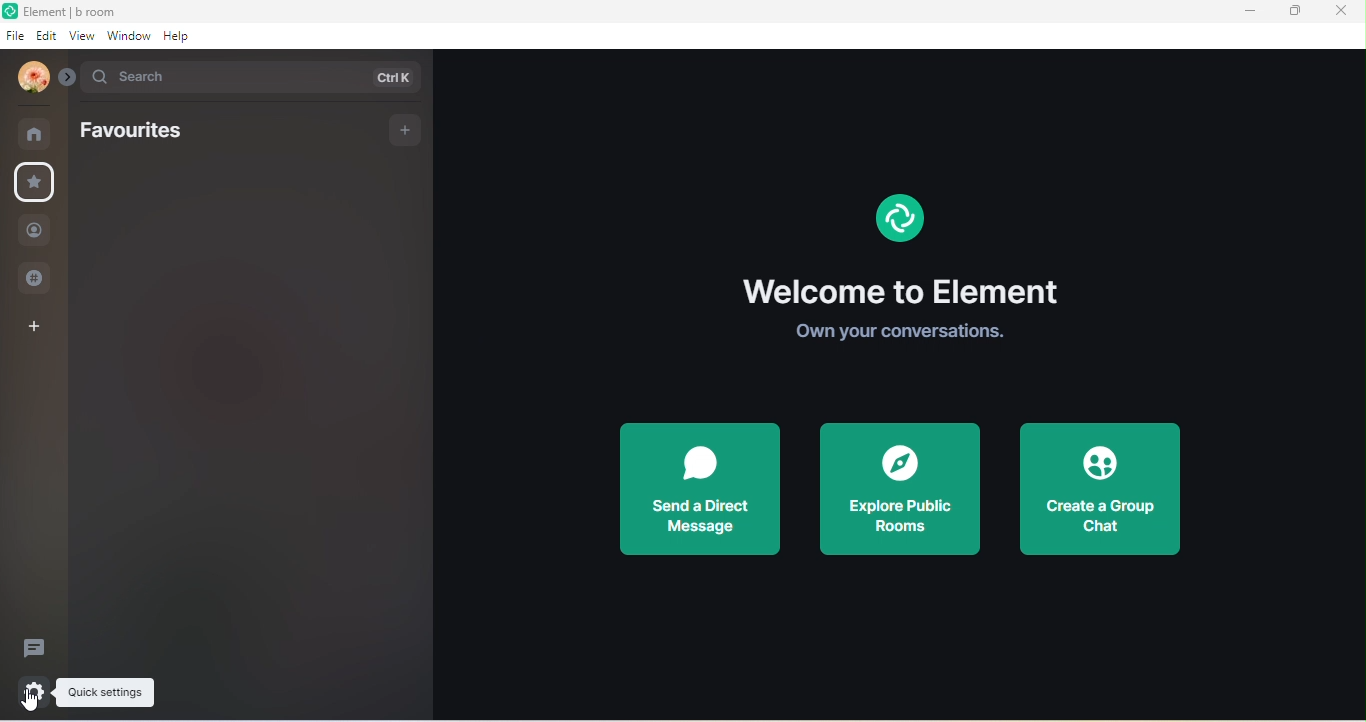 The image size is (1366, 722). Describe the element at coordinates (41, 277) in the screenshot. I see `public room` at that location.